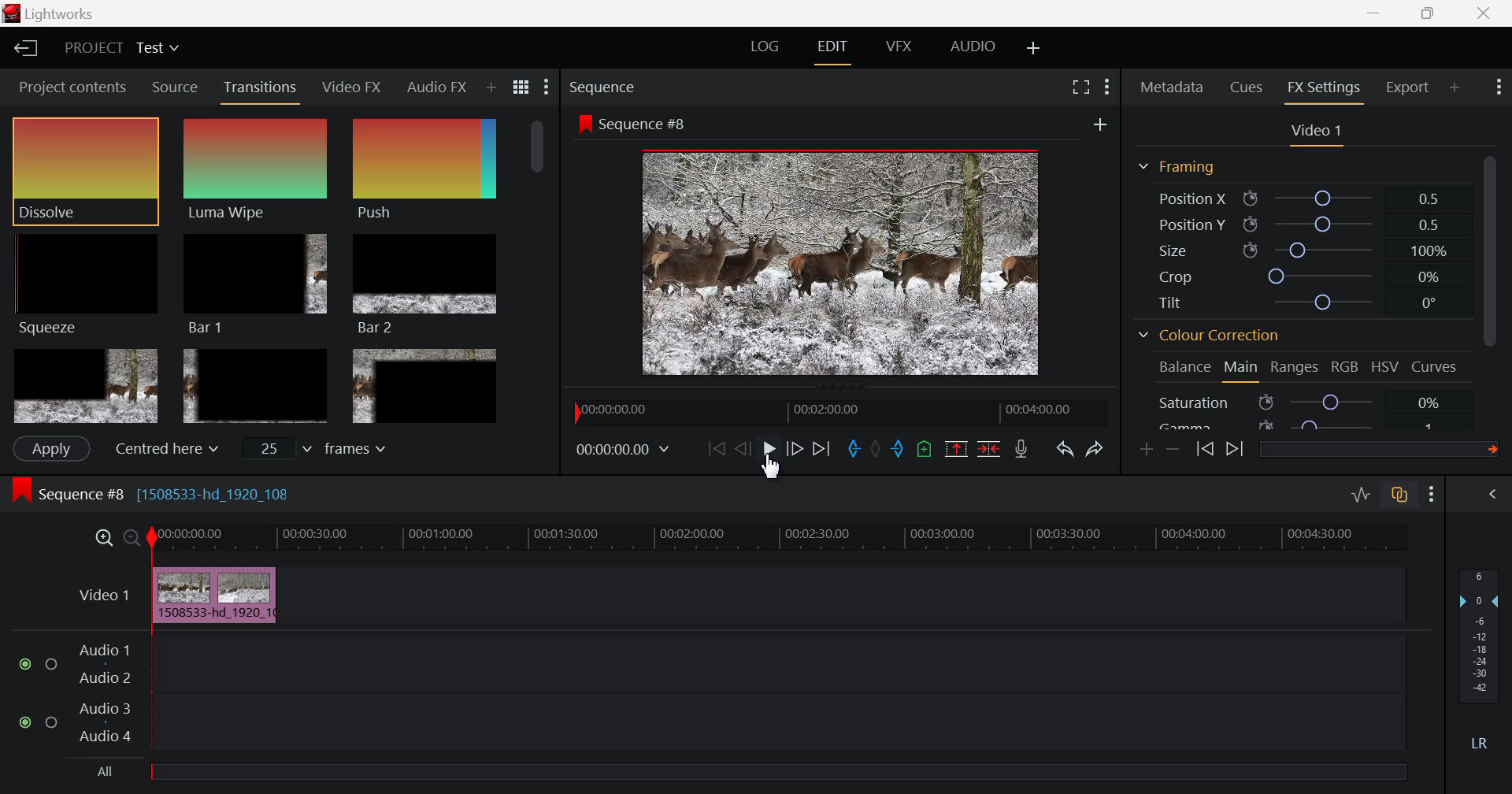 This screenshot has width=1512, height=794. What do you see at coordinates (255, 285) in the screenshot?
I see `Bar 1` at bounding box center [255, 285].